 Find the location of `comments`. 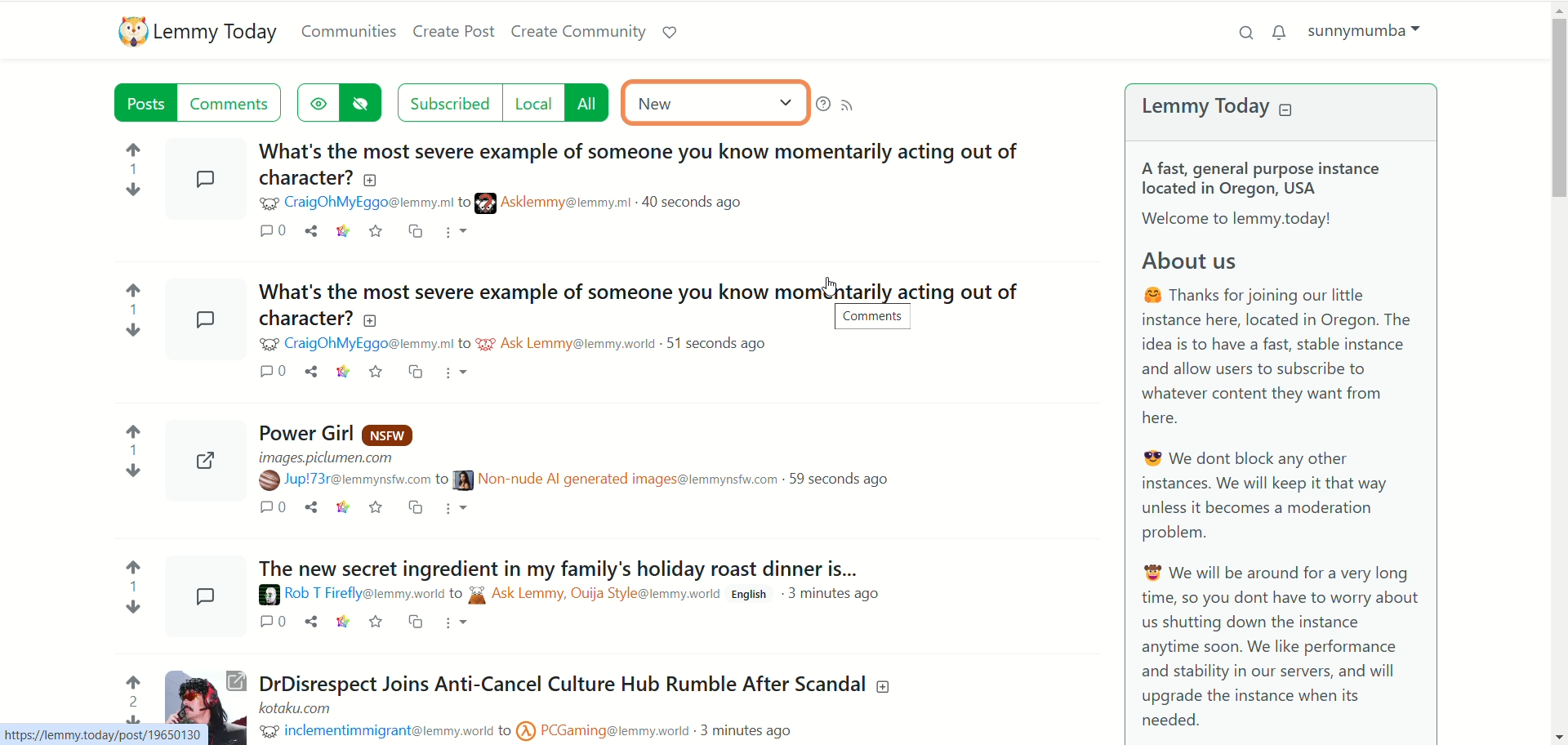

comments is located at coordinates (268, 621).